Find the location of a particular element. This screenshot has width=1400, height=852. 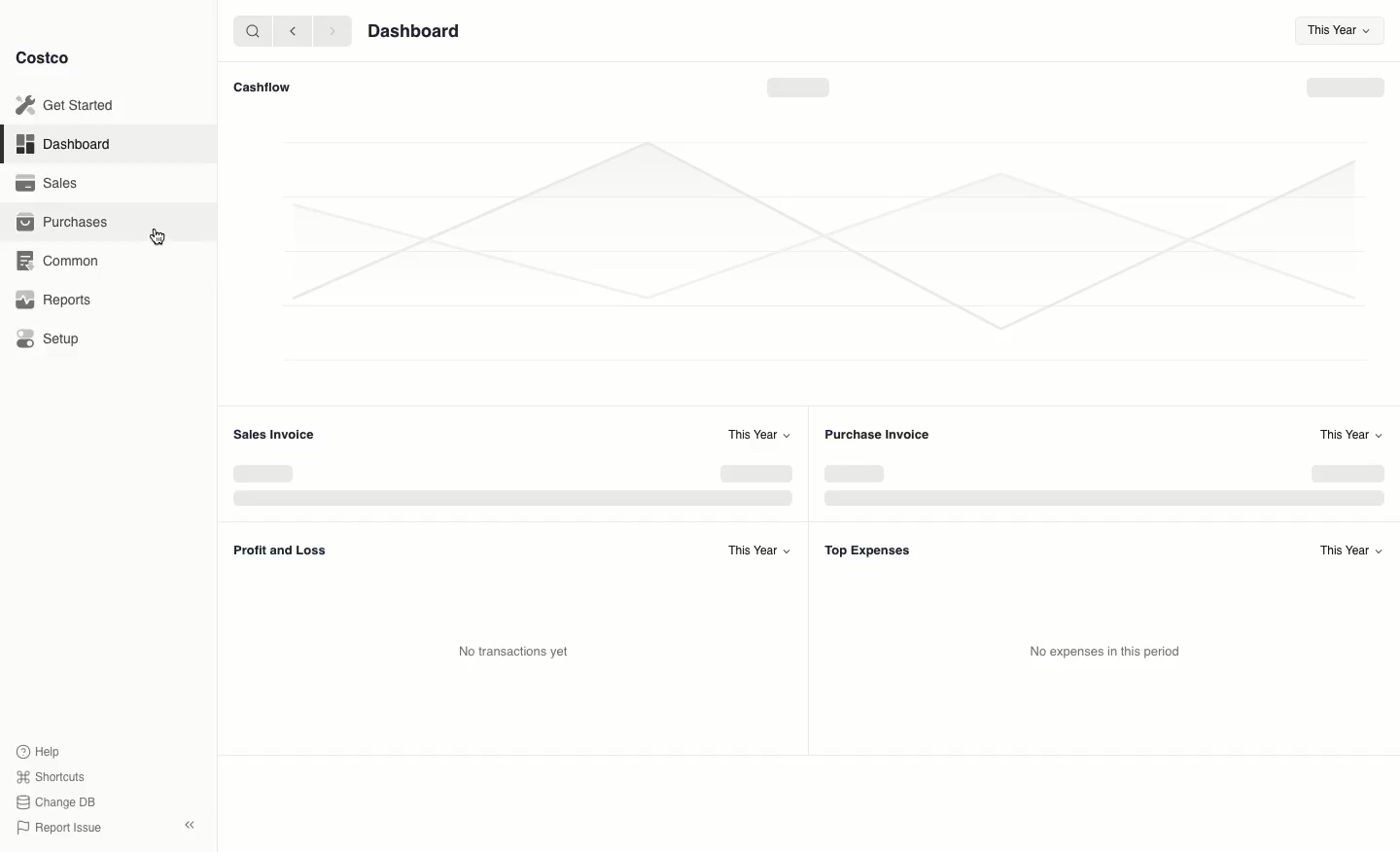

Purchase Invoice is located at coordinates (880, 434).